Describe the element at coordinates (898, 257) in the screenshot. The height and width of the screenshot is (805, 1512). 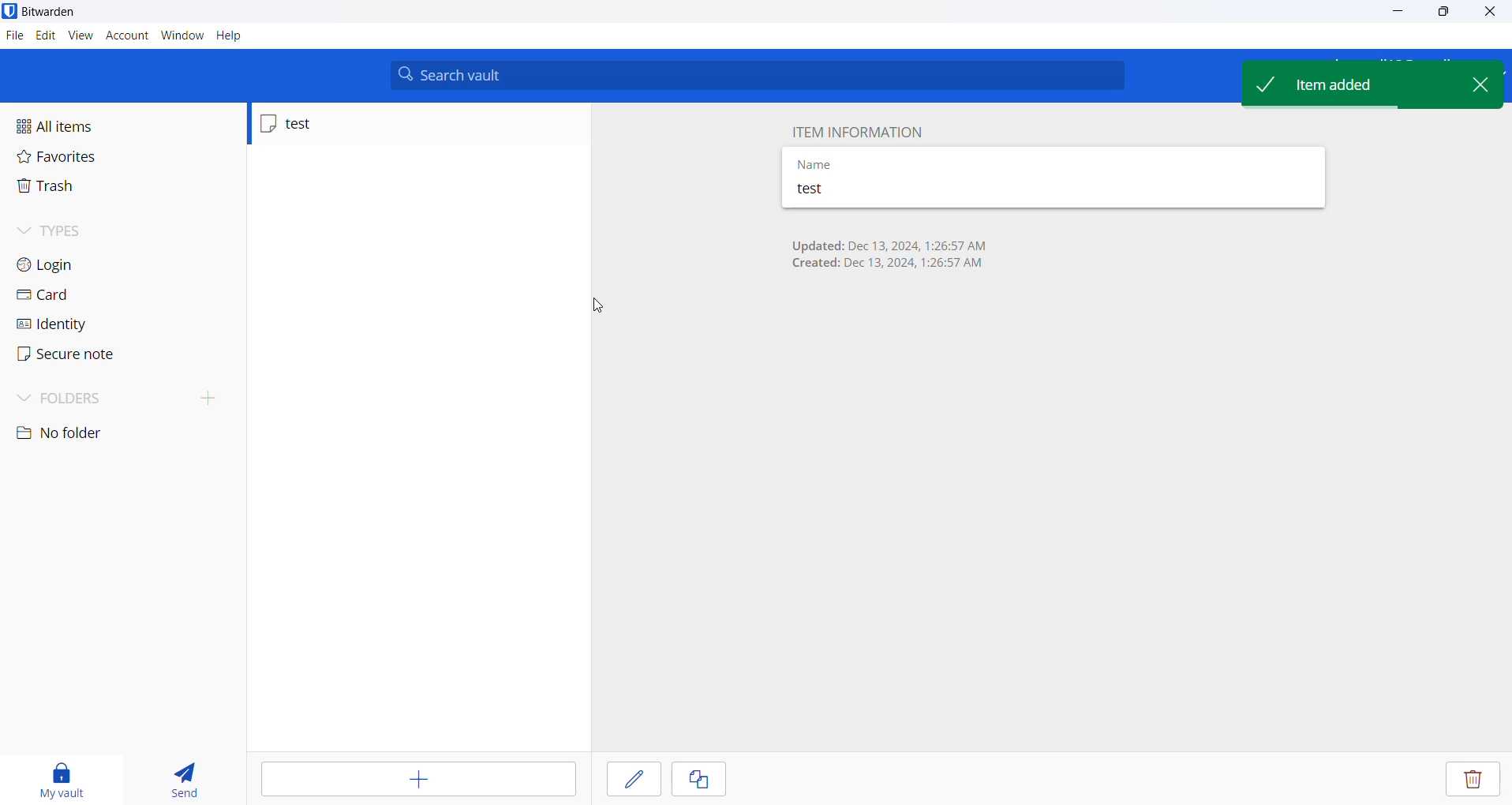
I see `update and deletion date` at that location.